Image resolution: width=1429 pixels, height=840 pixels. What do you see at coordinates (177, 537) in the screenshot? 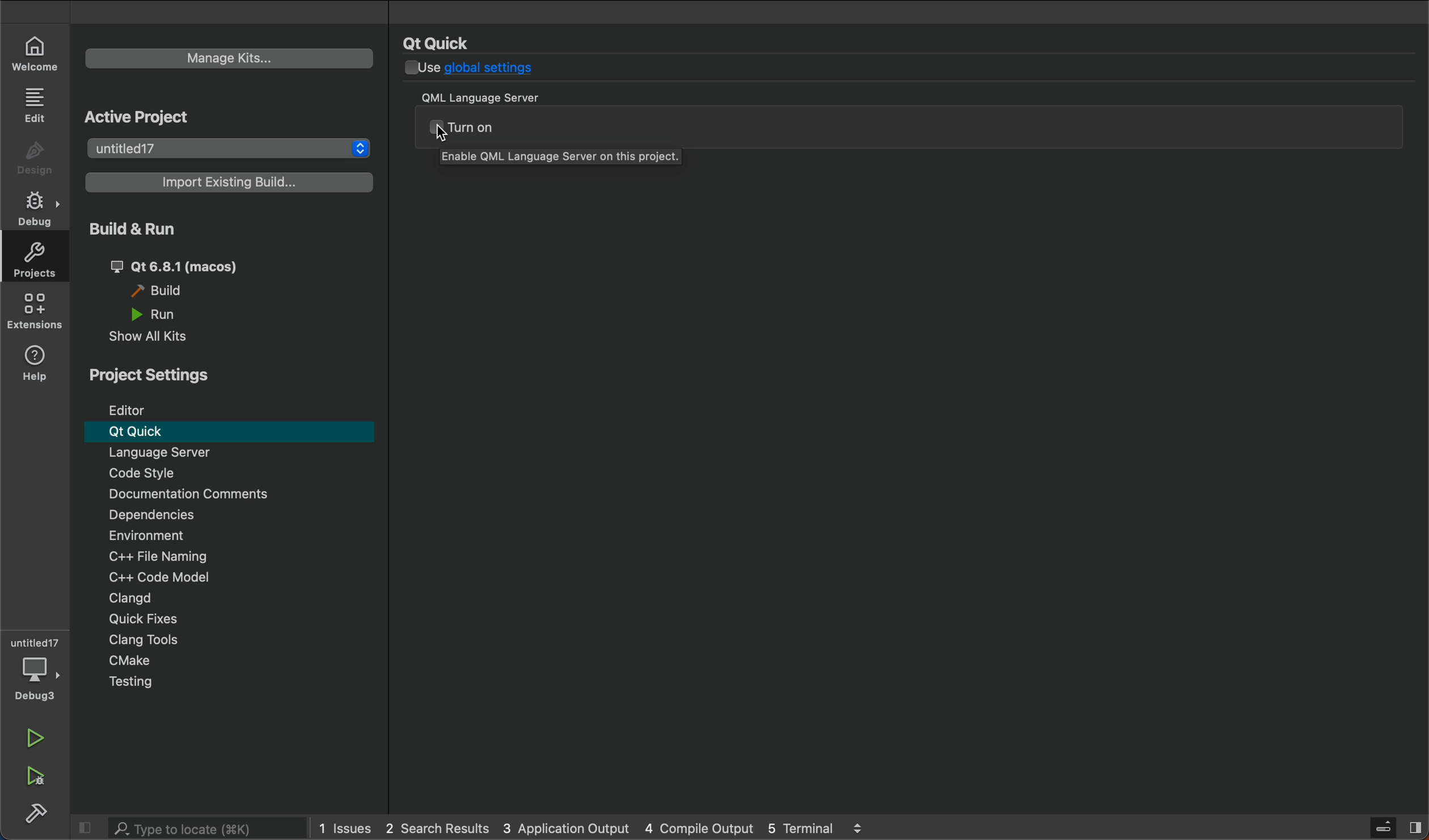
I see `Environment` at bounding box center [177, 537].